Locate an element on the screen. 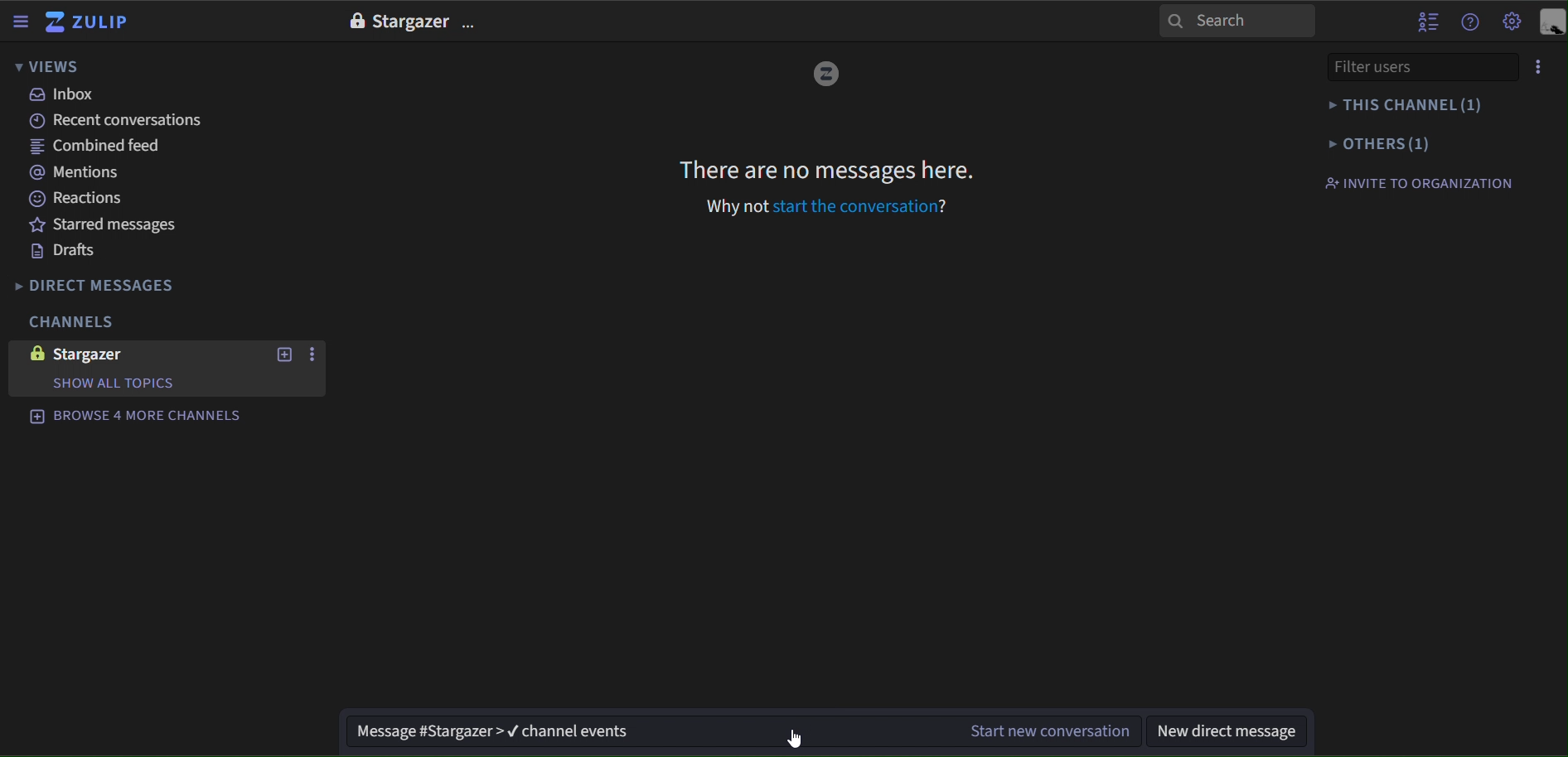 This screenshot has height=757, width=1568. stargazer is located at coordinates (105, 354).